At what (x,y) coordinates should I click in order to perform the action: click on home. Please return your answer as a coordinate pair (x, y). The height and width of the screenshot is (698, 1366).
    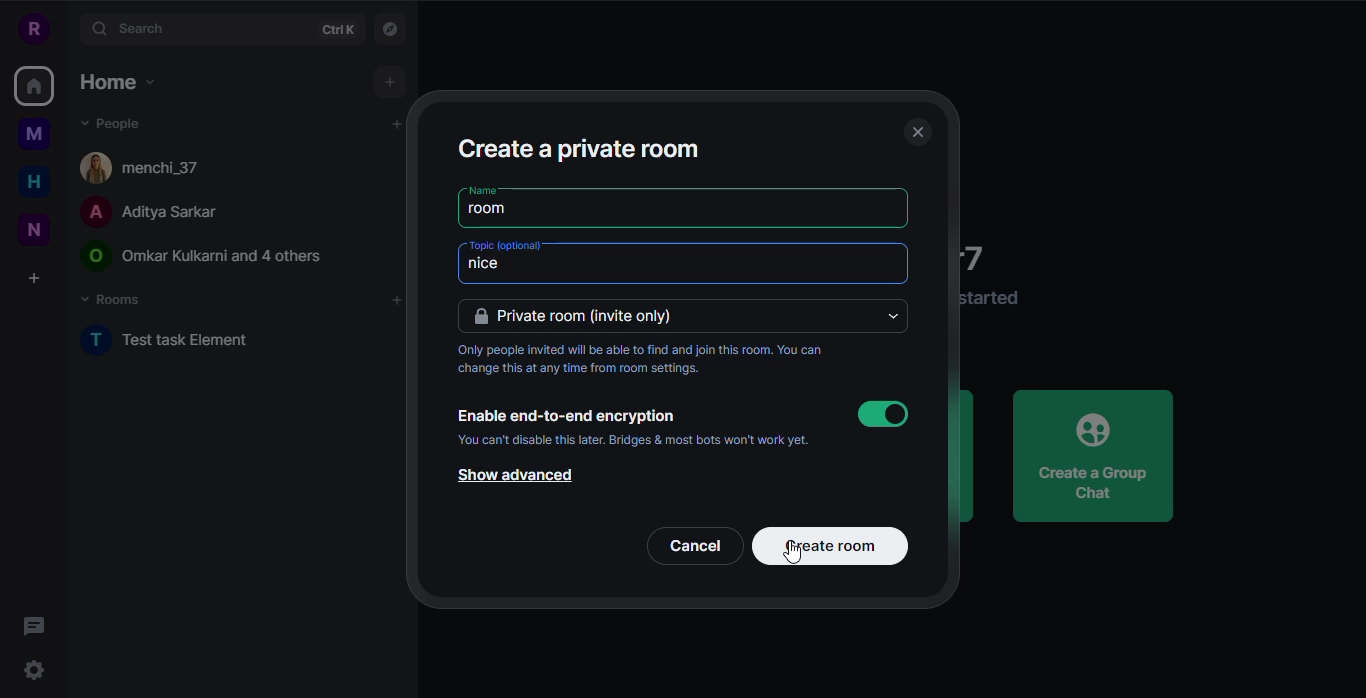
    Looking at the image, I should click on (115, 81).